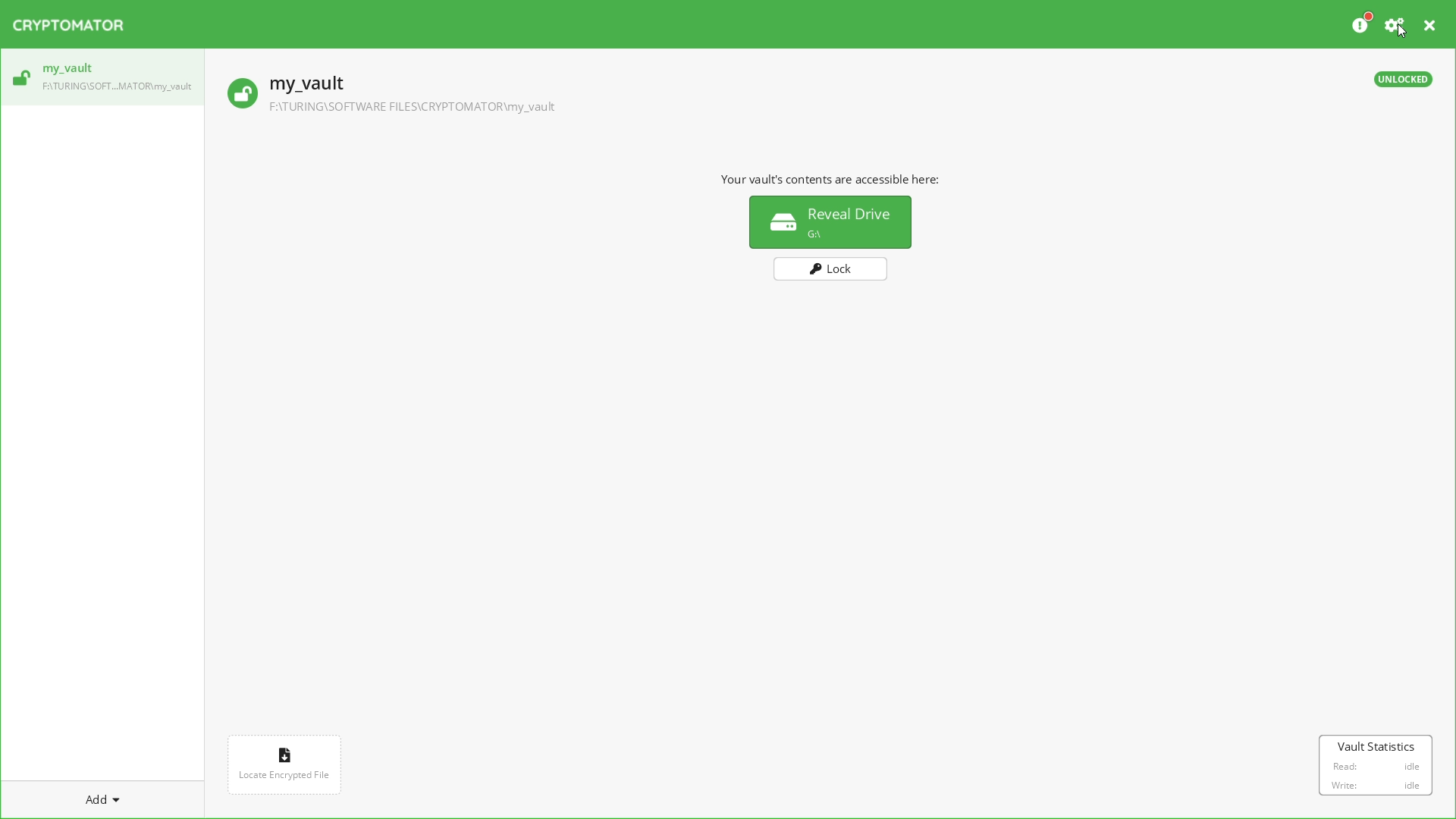 The height and width of the screenshot is (819, 1456). What do you see at coordinates (836, 272) in the screenshot?
I see `Lock Drive` at bounding box center [836, 272].